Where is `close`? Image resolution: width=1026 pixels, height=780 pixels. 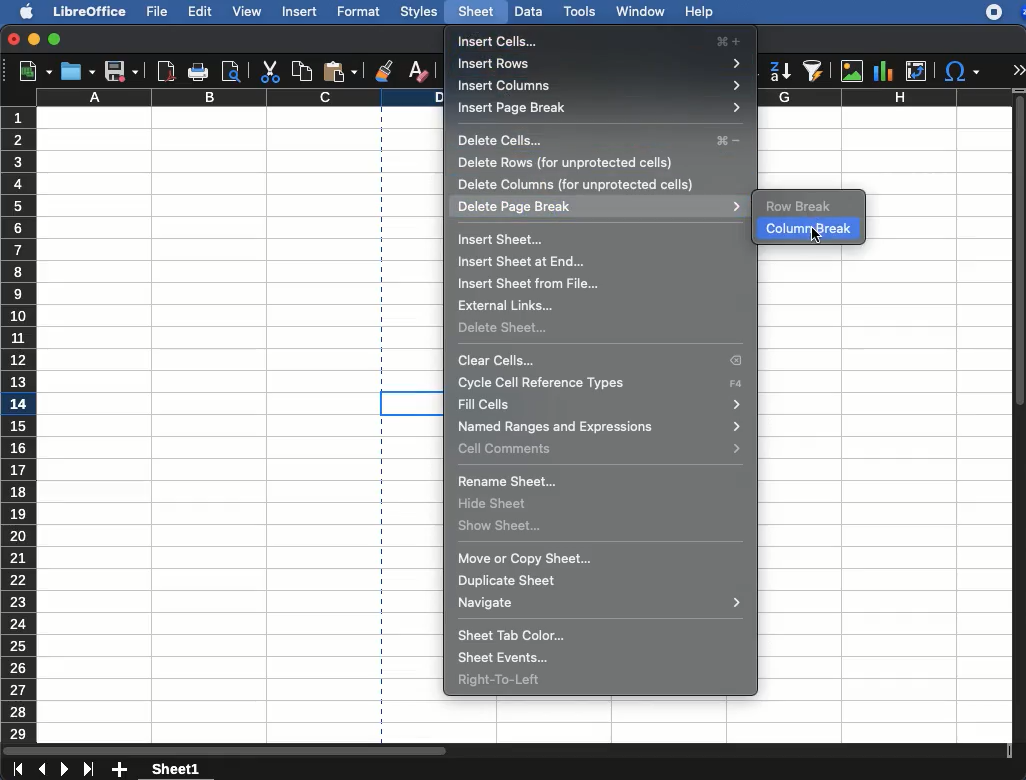 close is located at coordinates (13, 39).